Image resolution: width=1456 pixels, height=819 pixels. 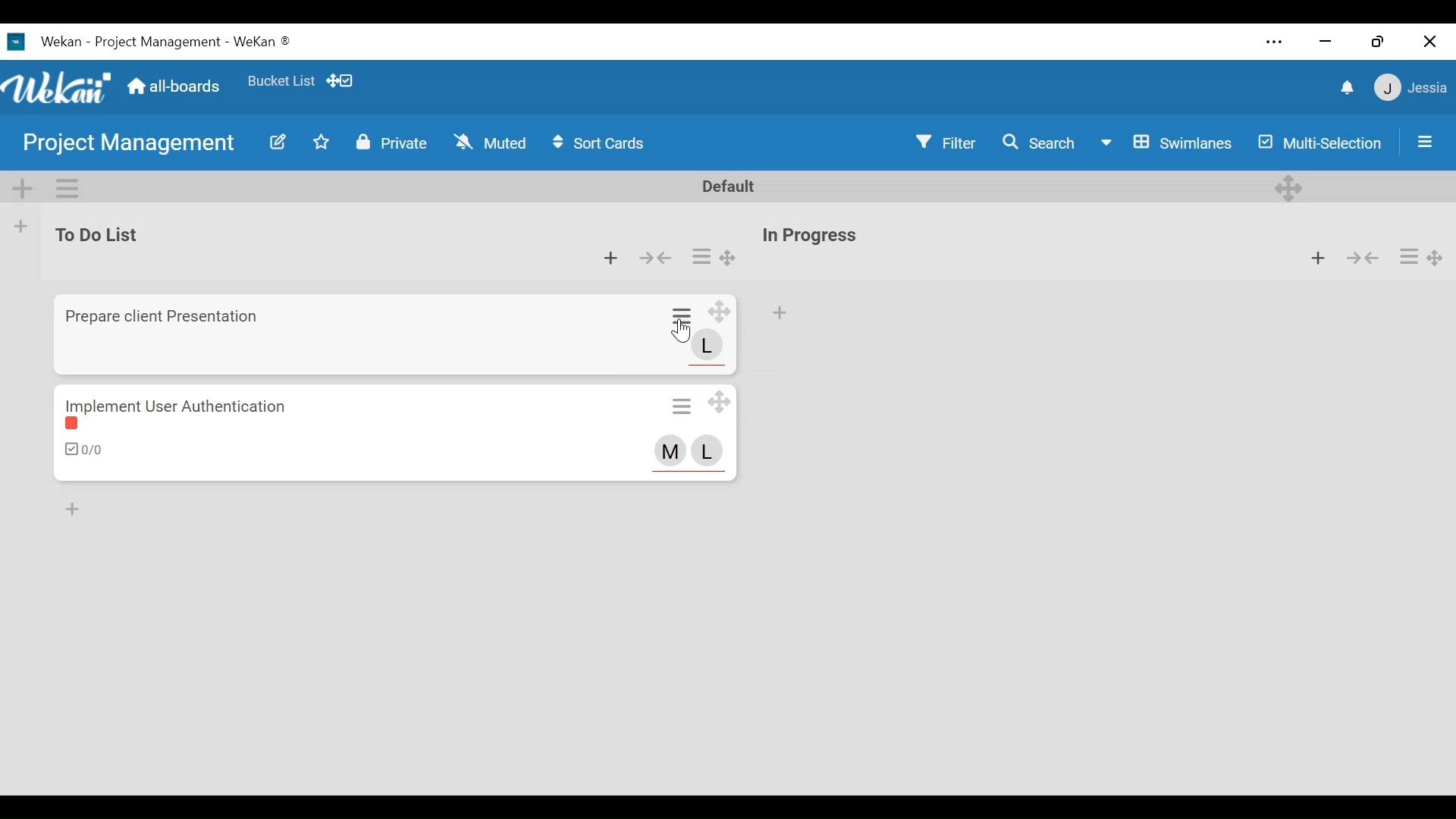 What do you see at coordinates (1325, 42) in the screenshot?
I see `minimize` at bounding box center [1325, 42].